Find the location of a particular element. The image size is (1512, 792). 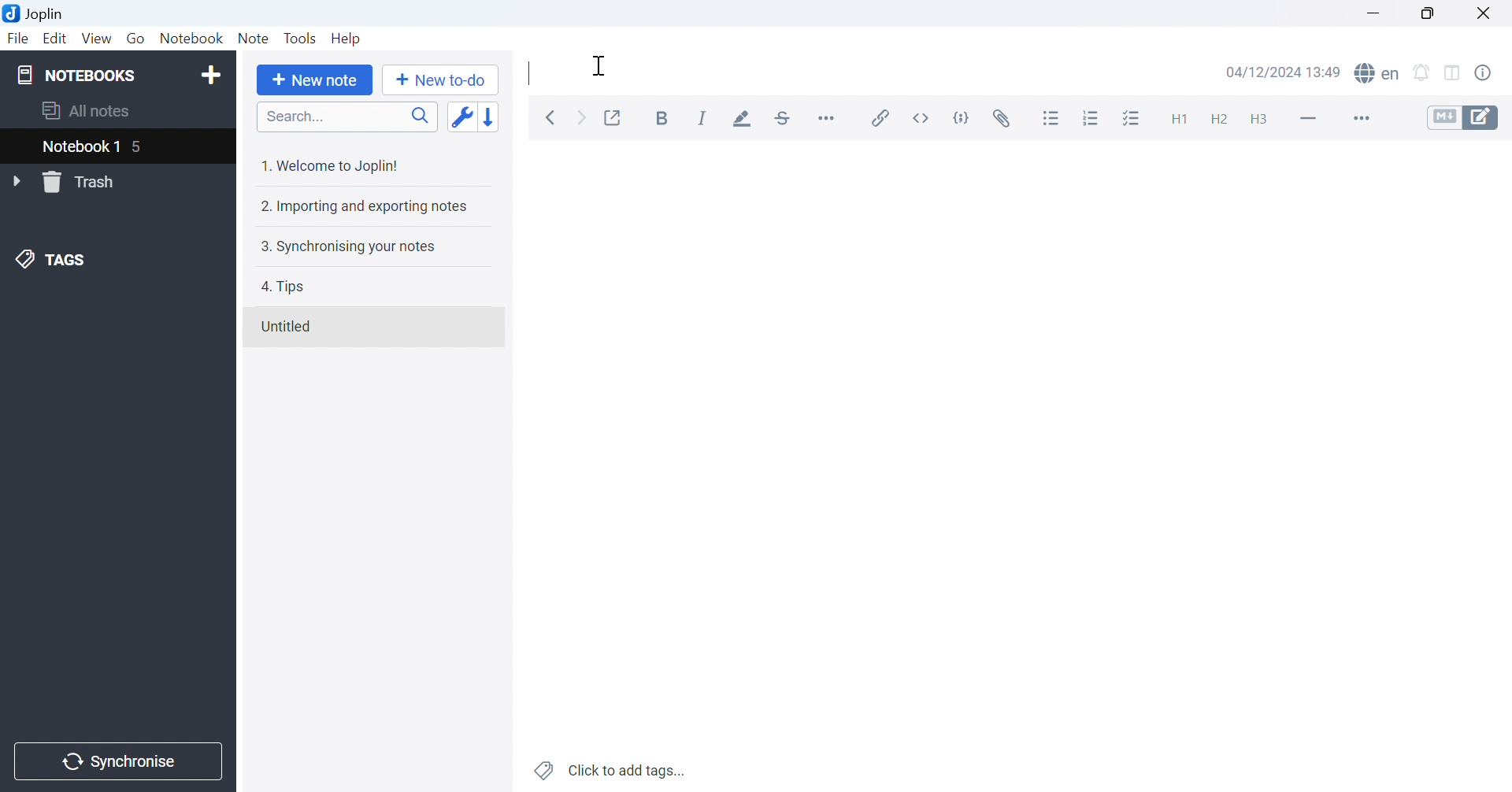

Heading 1 is located at coordinates (1174, 116).